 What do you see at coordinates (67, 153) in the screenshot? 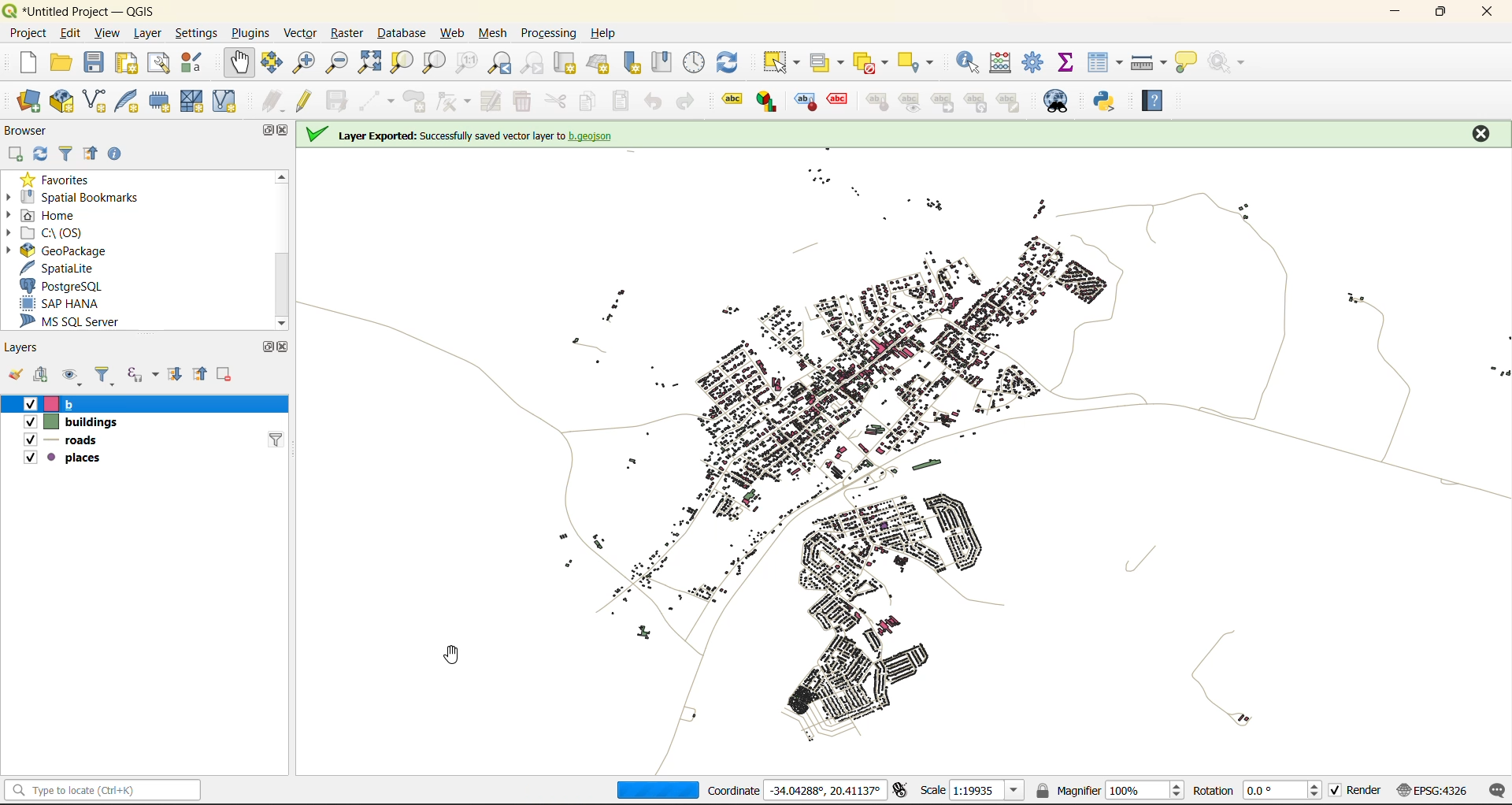
I see `filter` at bounding box center [67, 153].